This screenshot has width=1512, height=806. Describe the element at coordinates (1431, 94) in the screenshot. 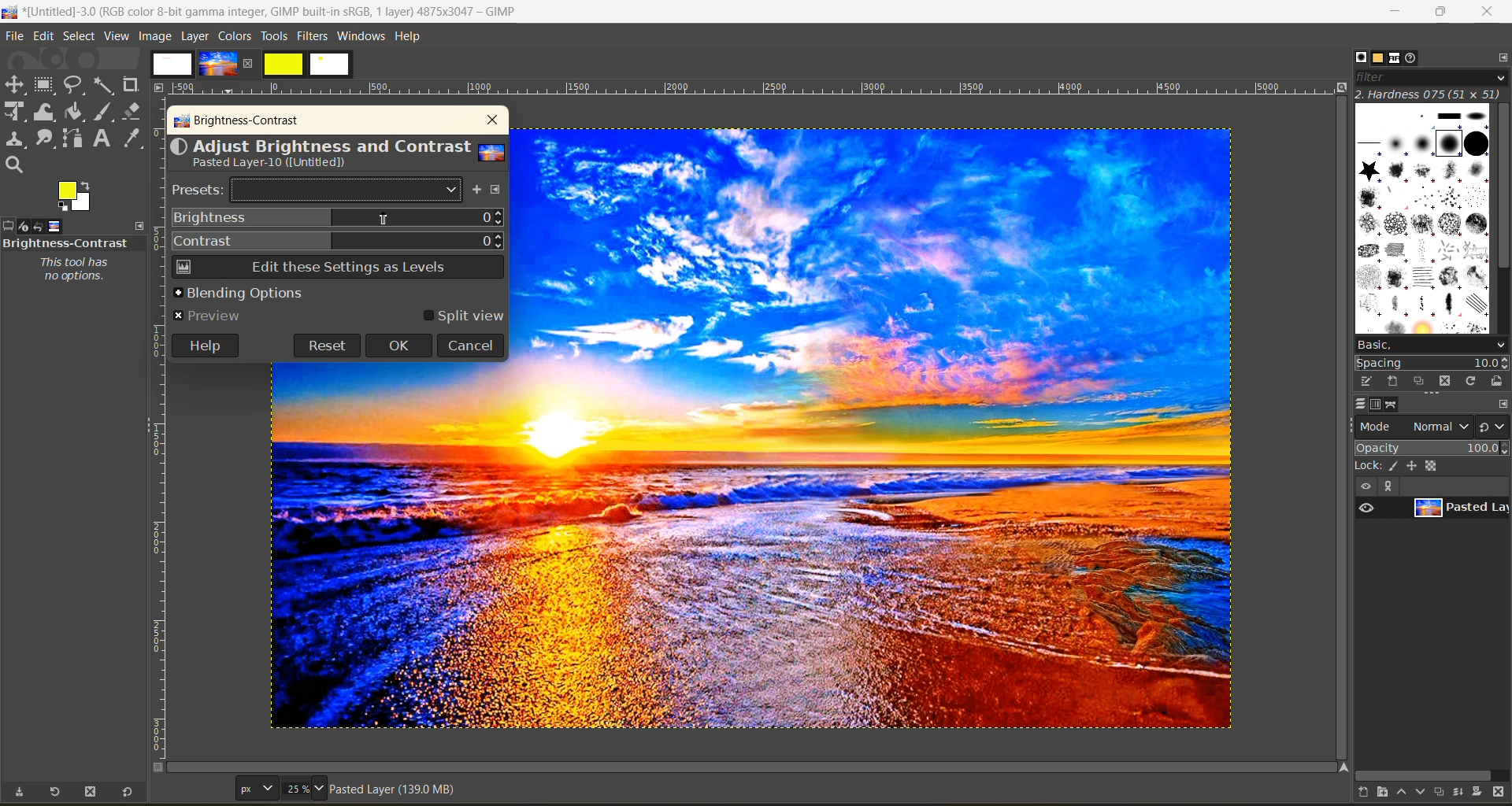

I see `hardness` at that location.